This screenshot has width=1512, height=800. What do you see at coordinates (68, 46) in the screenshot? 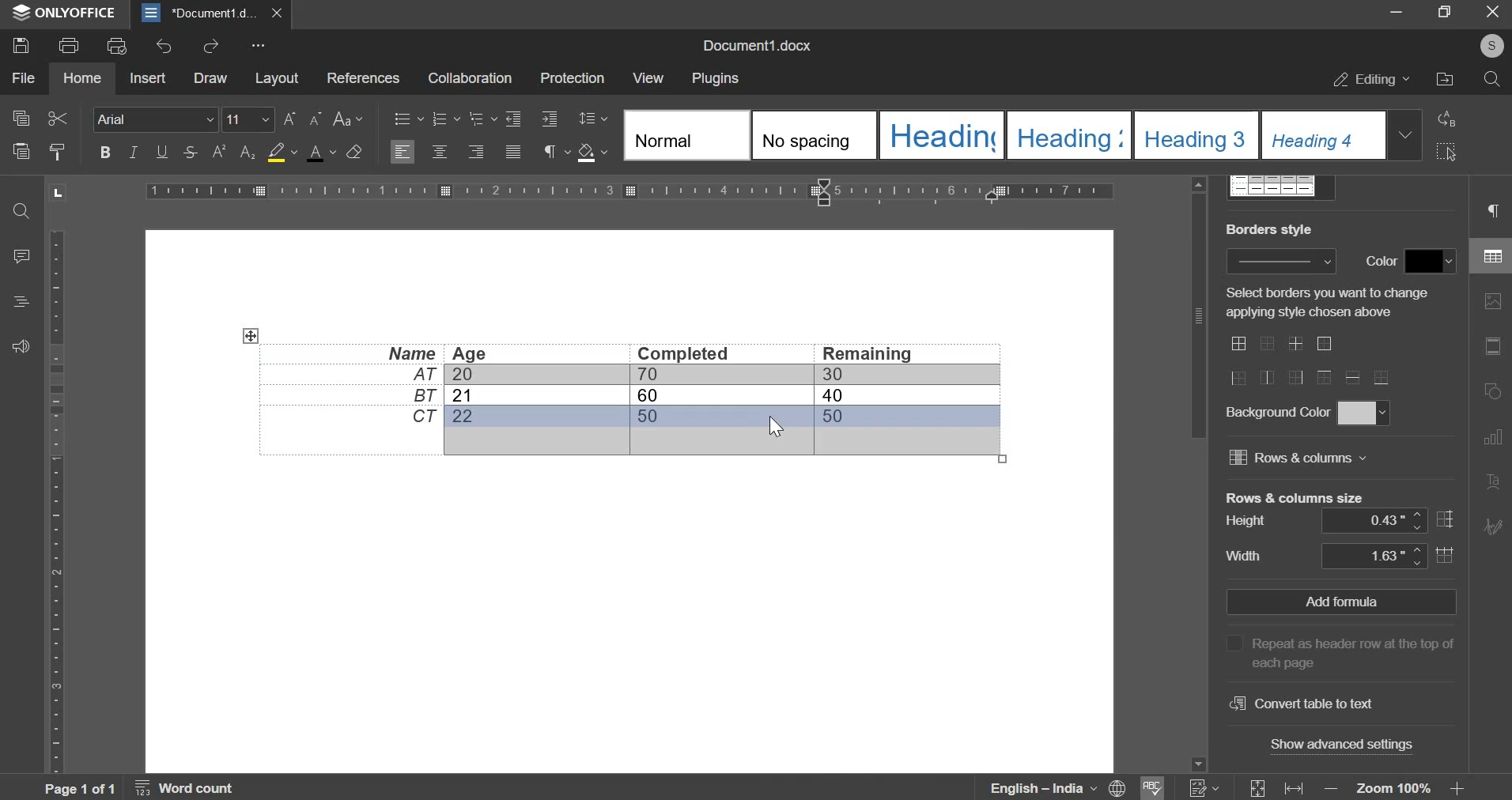
I see `print` at bounding box center [68, 46].